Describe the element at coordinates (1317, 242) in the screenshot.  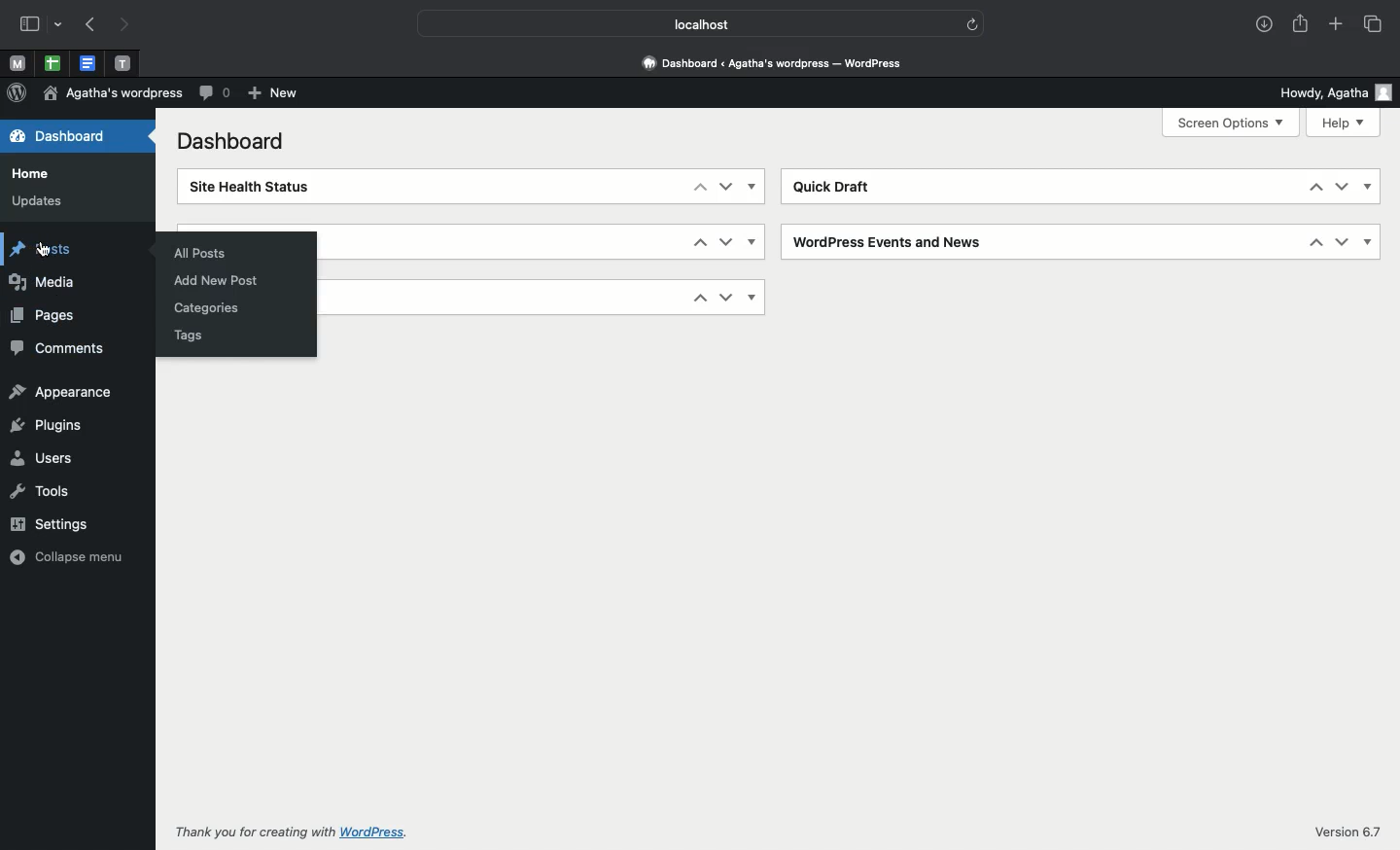
I see `Up` at that location.